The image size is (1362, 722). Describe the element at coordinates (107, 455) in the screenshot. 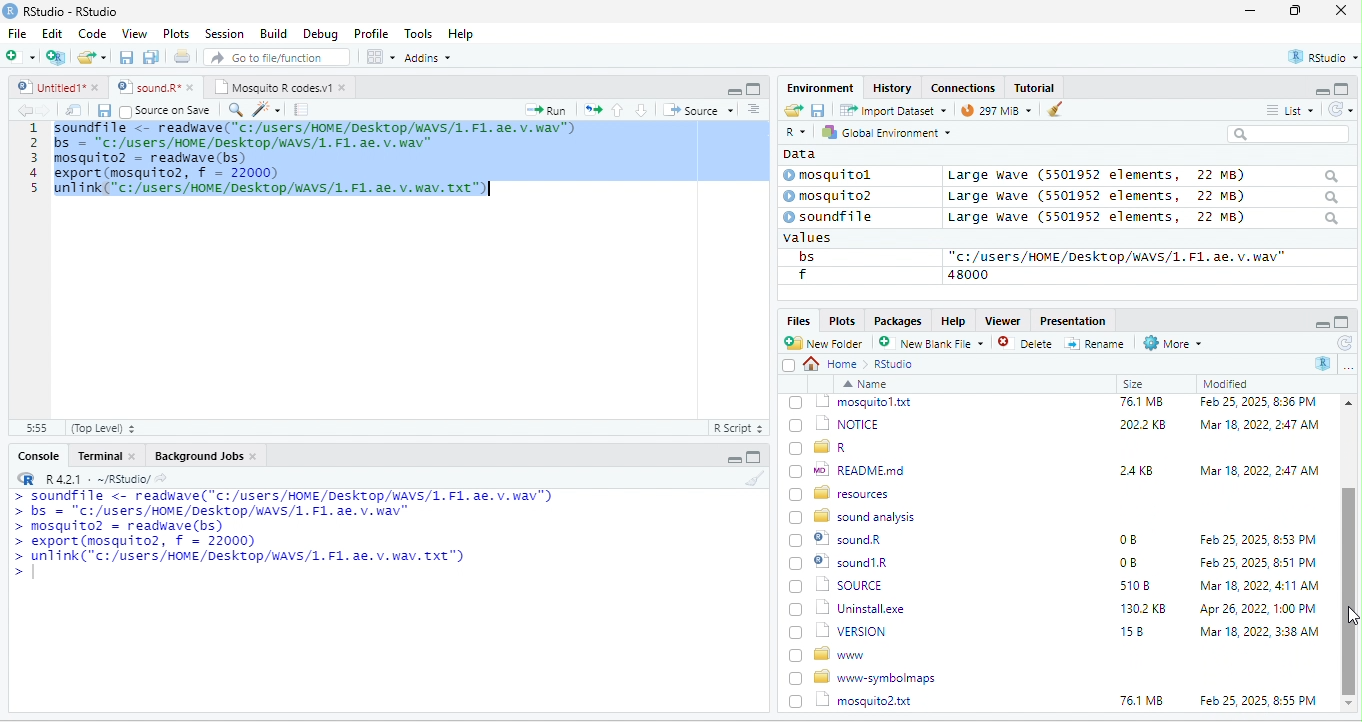

I see `Terminal` at that location.